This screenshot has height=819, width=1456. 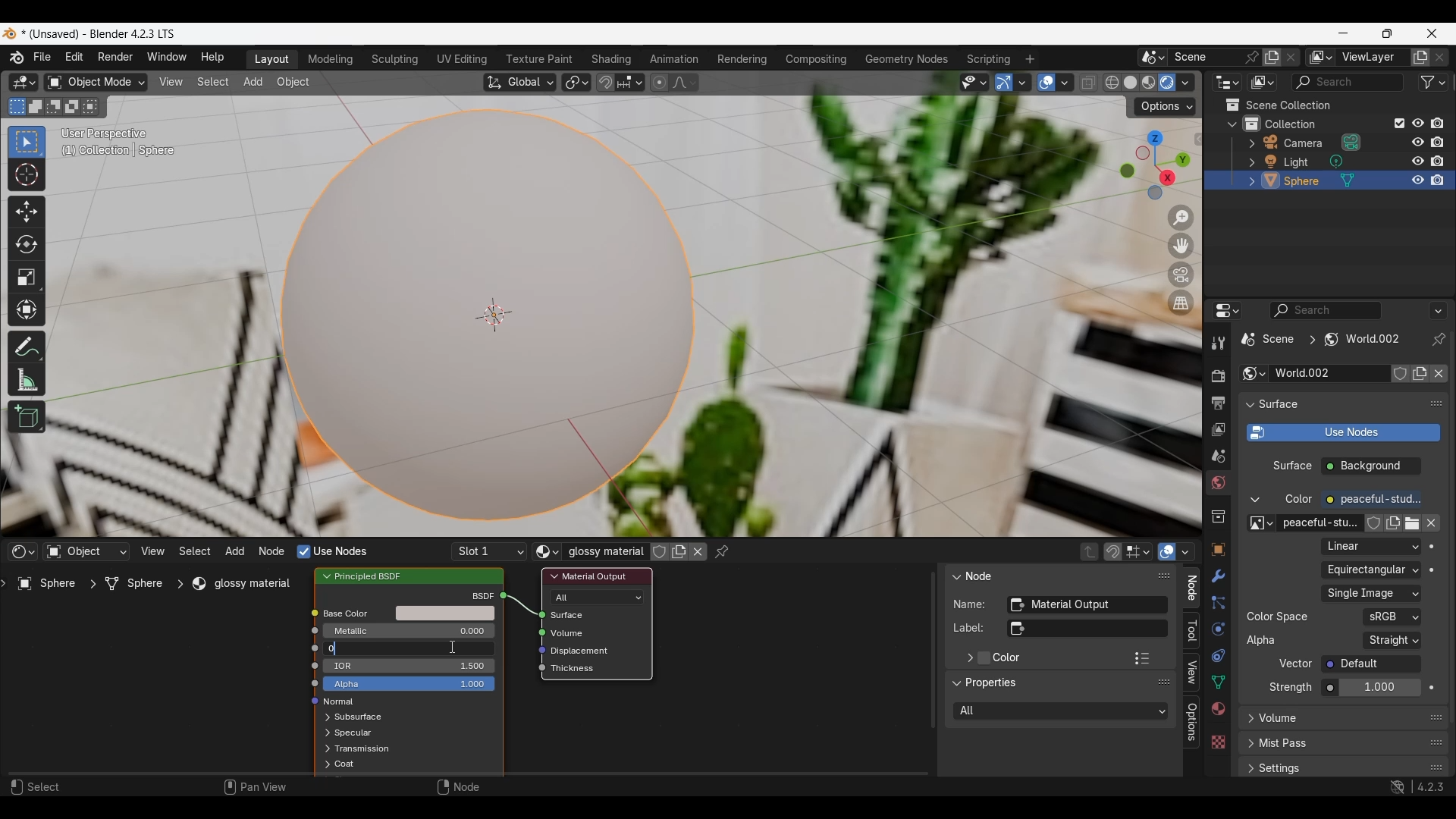 I want to click on Fake user, so click(x=660, y=552).